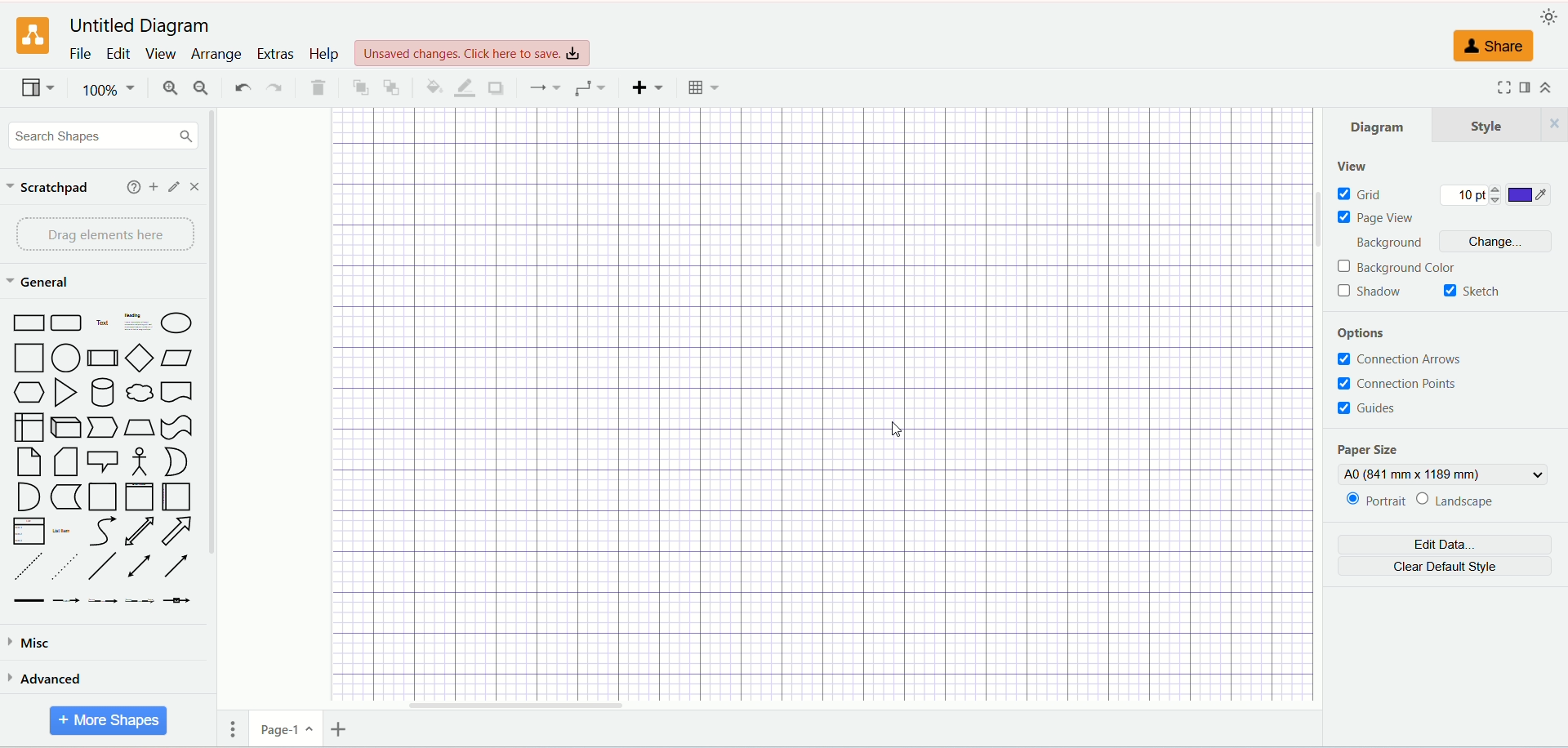 The height and width of the screenshot is (748, 1568). I want to click on Pages, so click(235, 732).